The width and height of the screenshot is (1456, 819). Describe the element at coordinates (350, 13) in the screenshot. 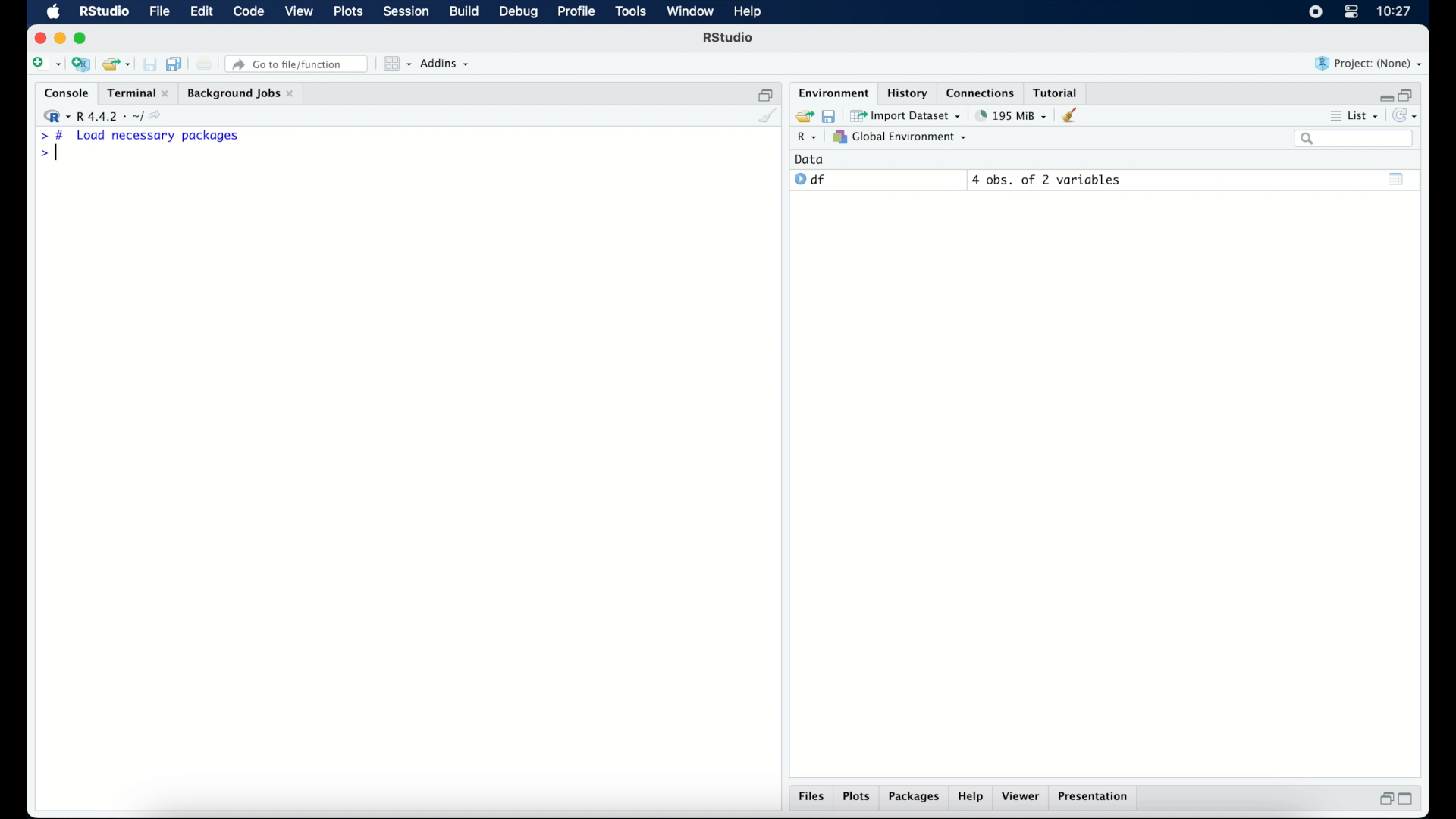

I see `plots` at that location.